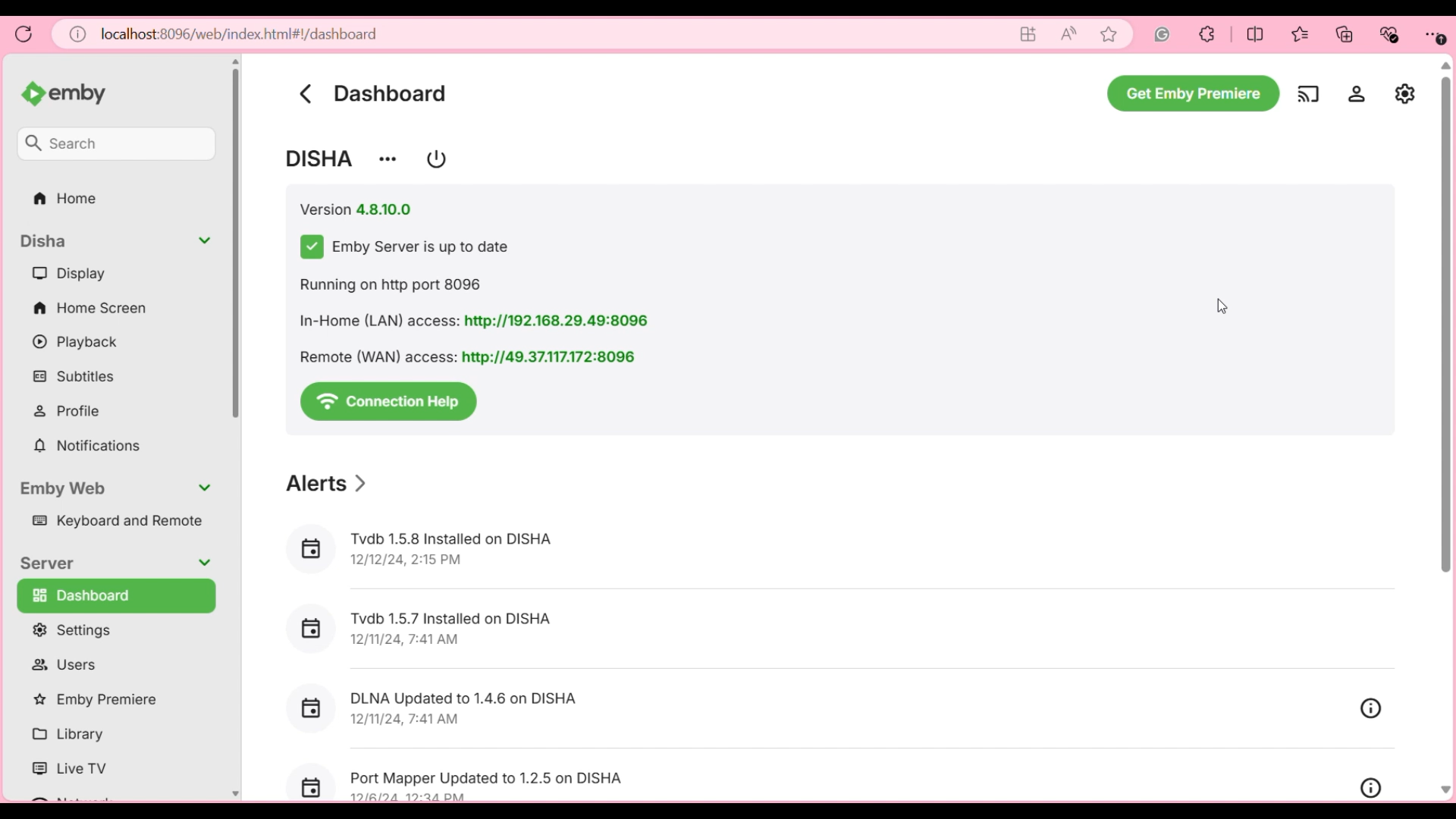 This screenshot has width=1456, height=819. What do you see at coordinates (1193, 93) in the screenshot?
I see `Get Emby premiere` at bounding box center [1193, 93].